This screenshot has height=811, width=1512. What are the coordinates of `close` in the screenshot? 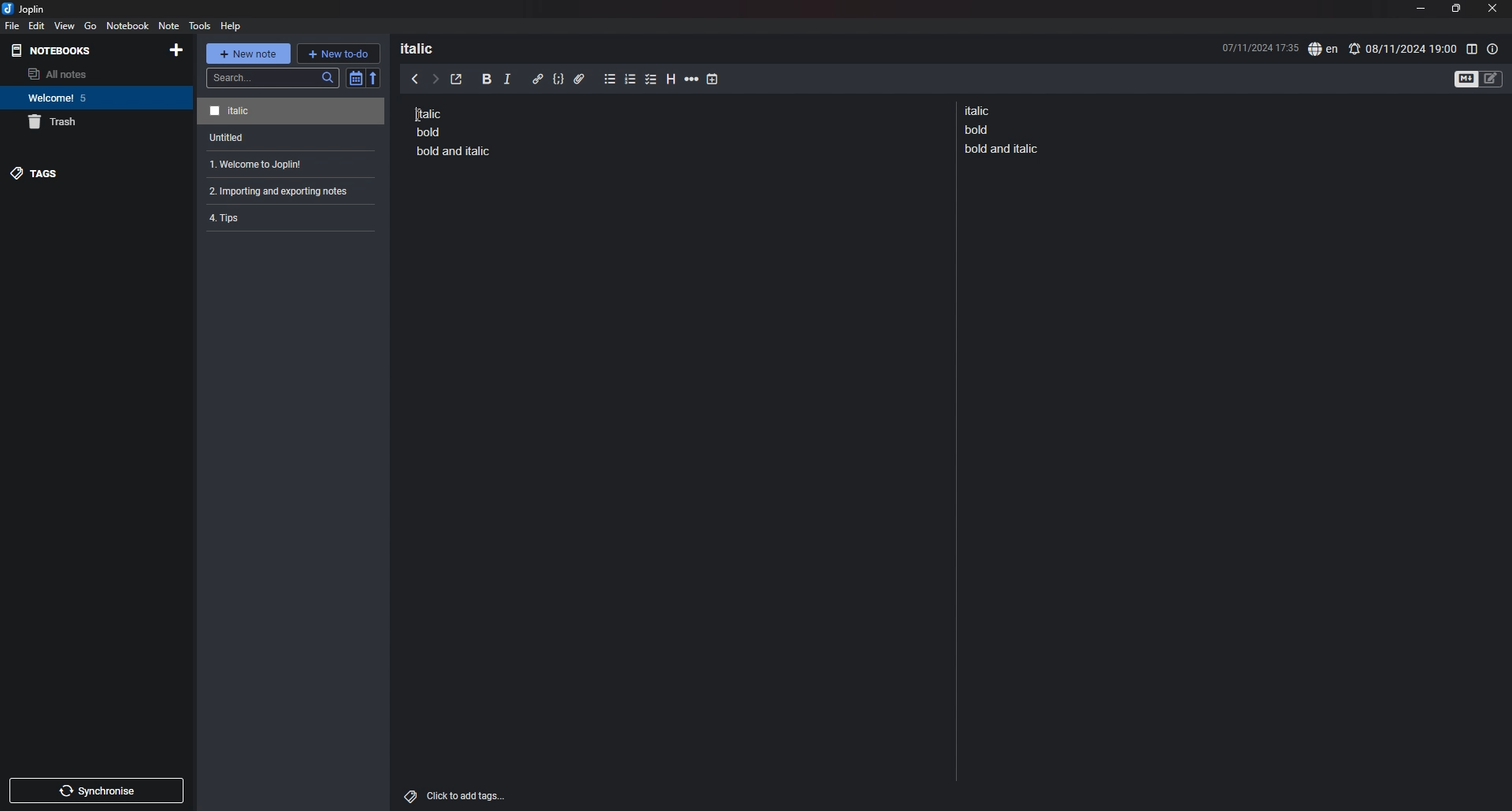 It's located at (1494, 8).